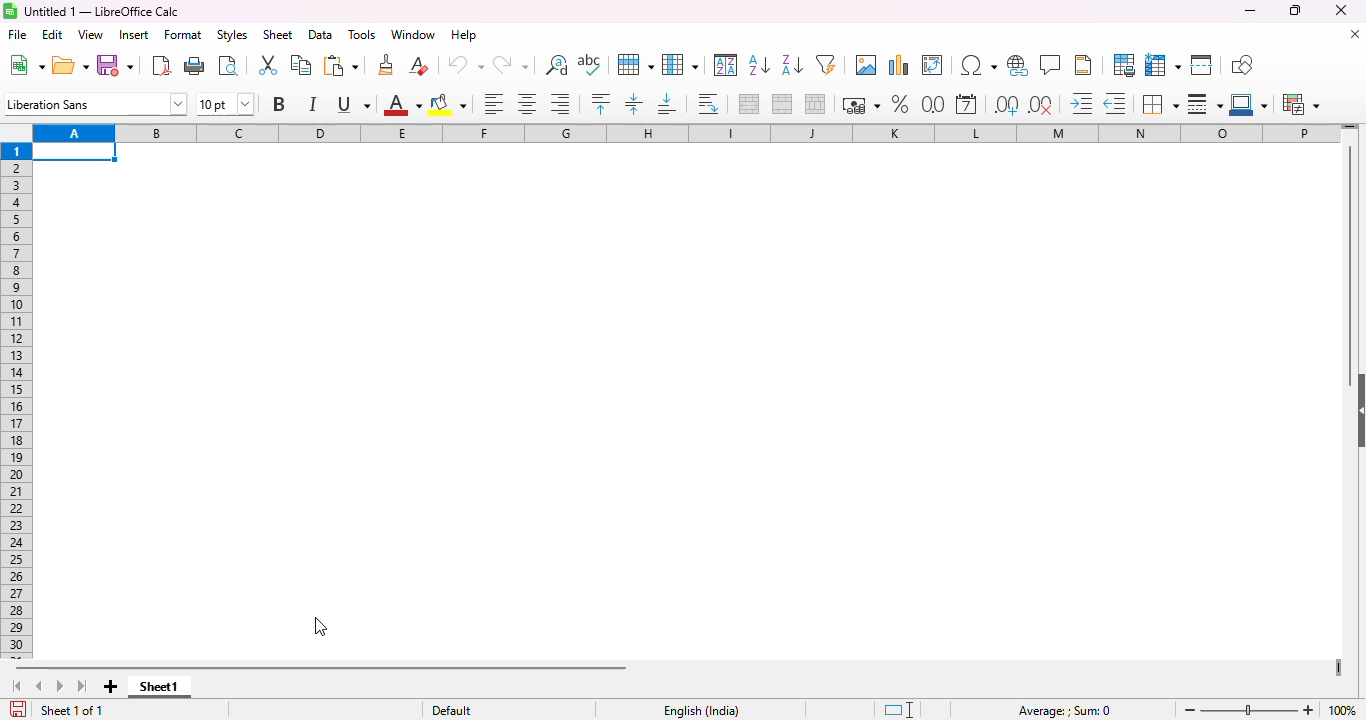  Describe the element at coordinates (934, 103) in the screenshot. I see `format as number` at that location.